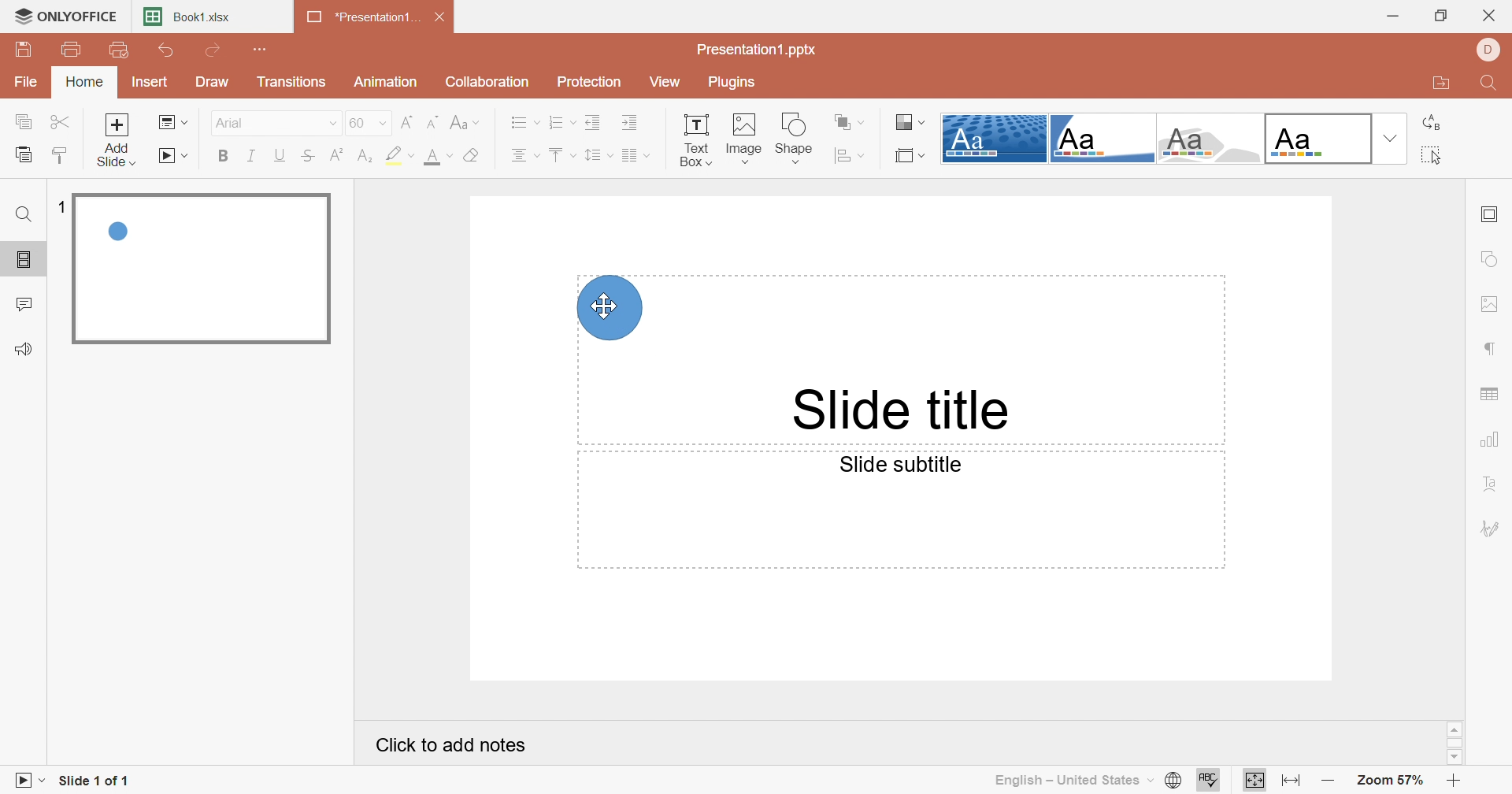 This screenshot has width=1512, height=794. Describe the element at coordinates (442, 17) in the screenshot. I see `Close` at that location.